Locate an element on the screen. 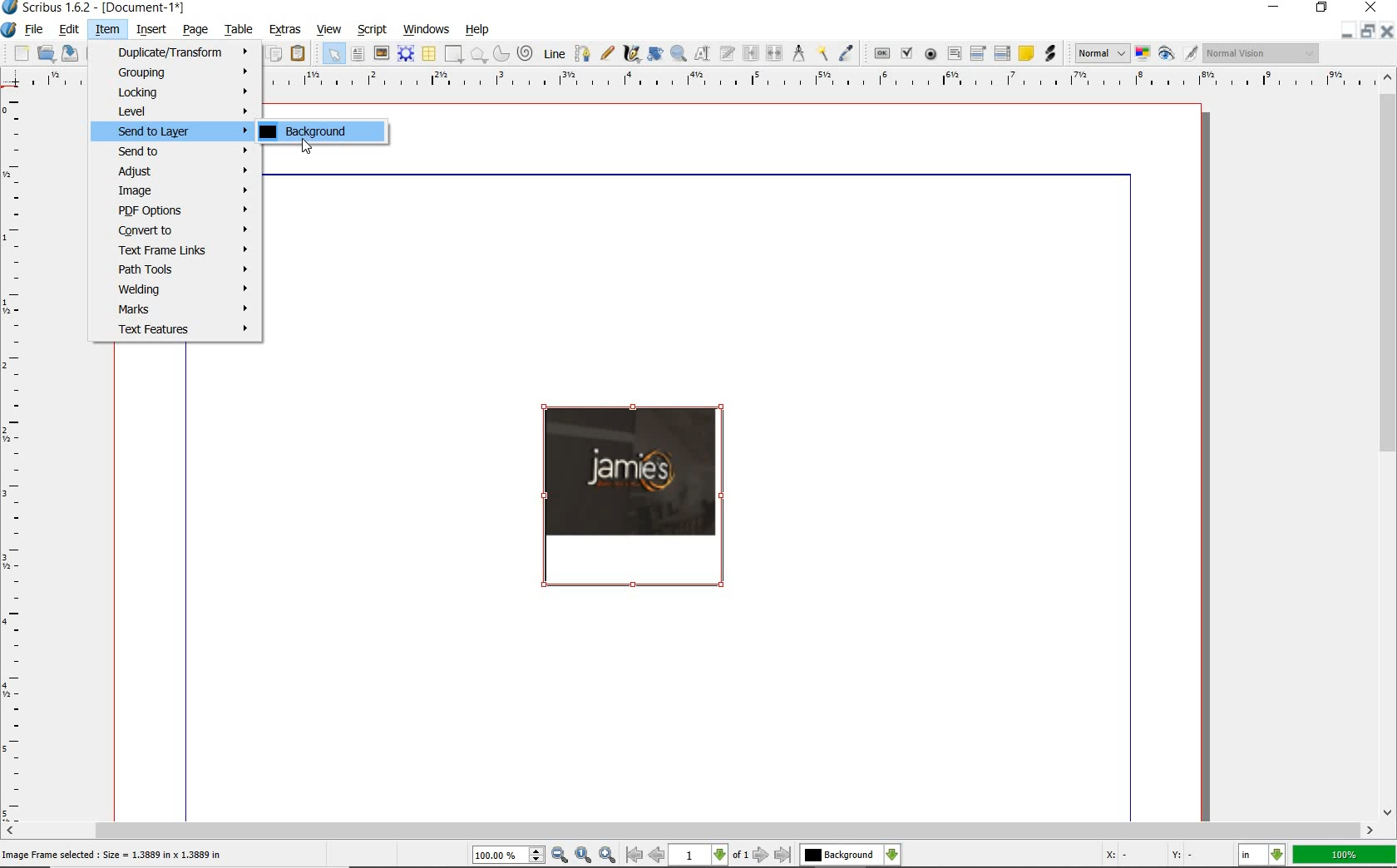 The height and width of the screenshot is (868, 1397). copy item properties is located at coordinates (822, 52).